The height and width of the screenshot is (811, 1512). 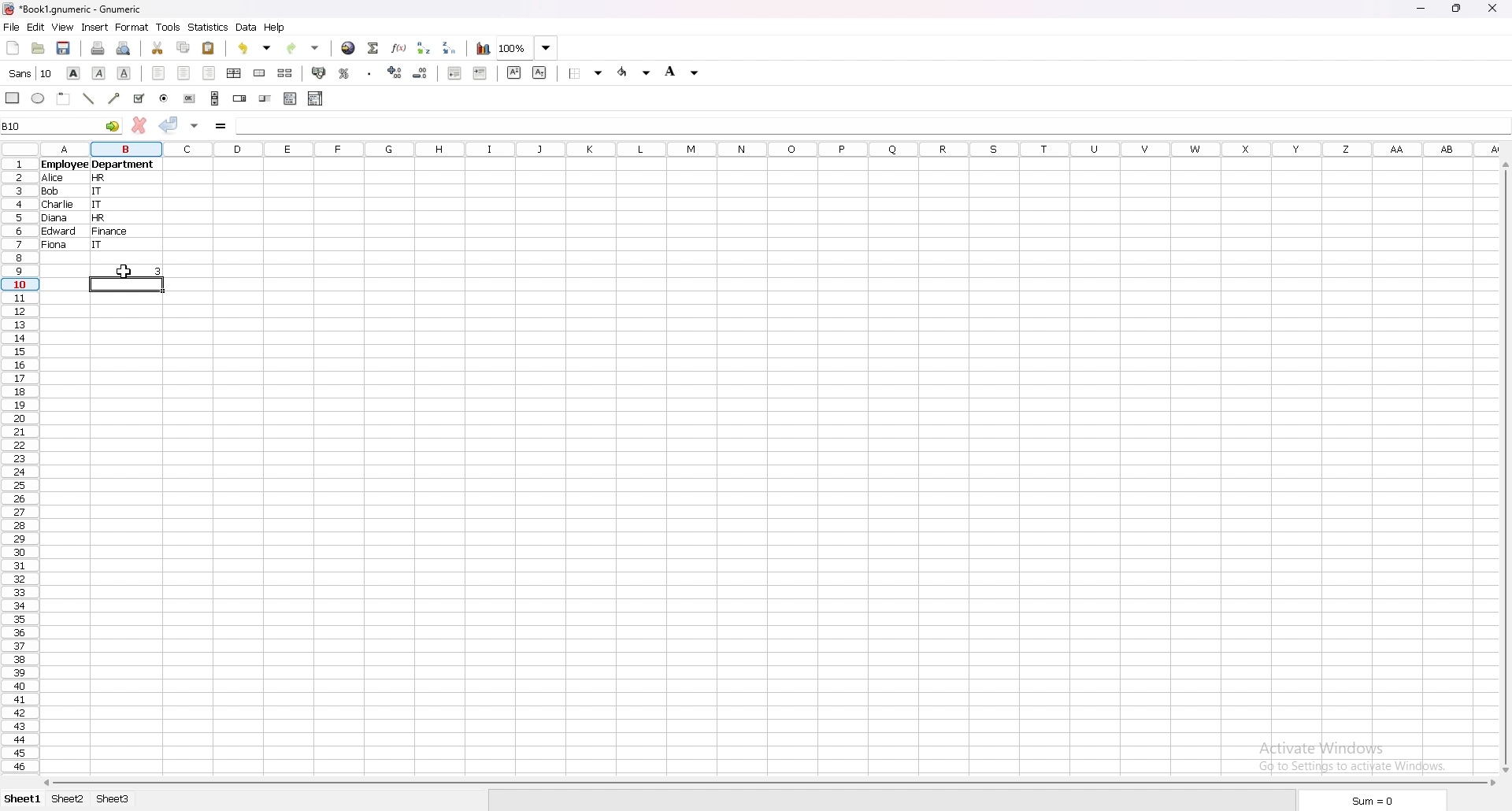 What do you see at coordinates (61, 125) in the screenshot?
I see `selected cell` at bounding box center [61, 125].